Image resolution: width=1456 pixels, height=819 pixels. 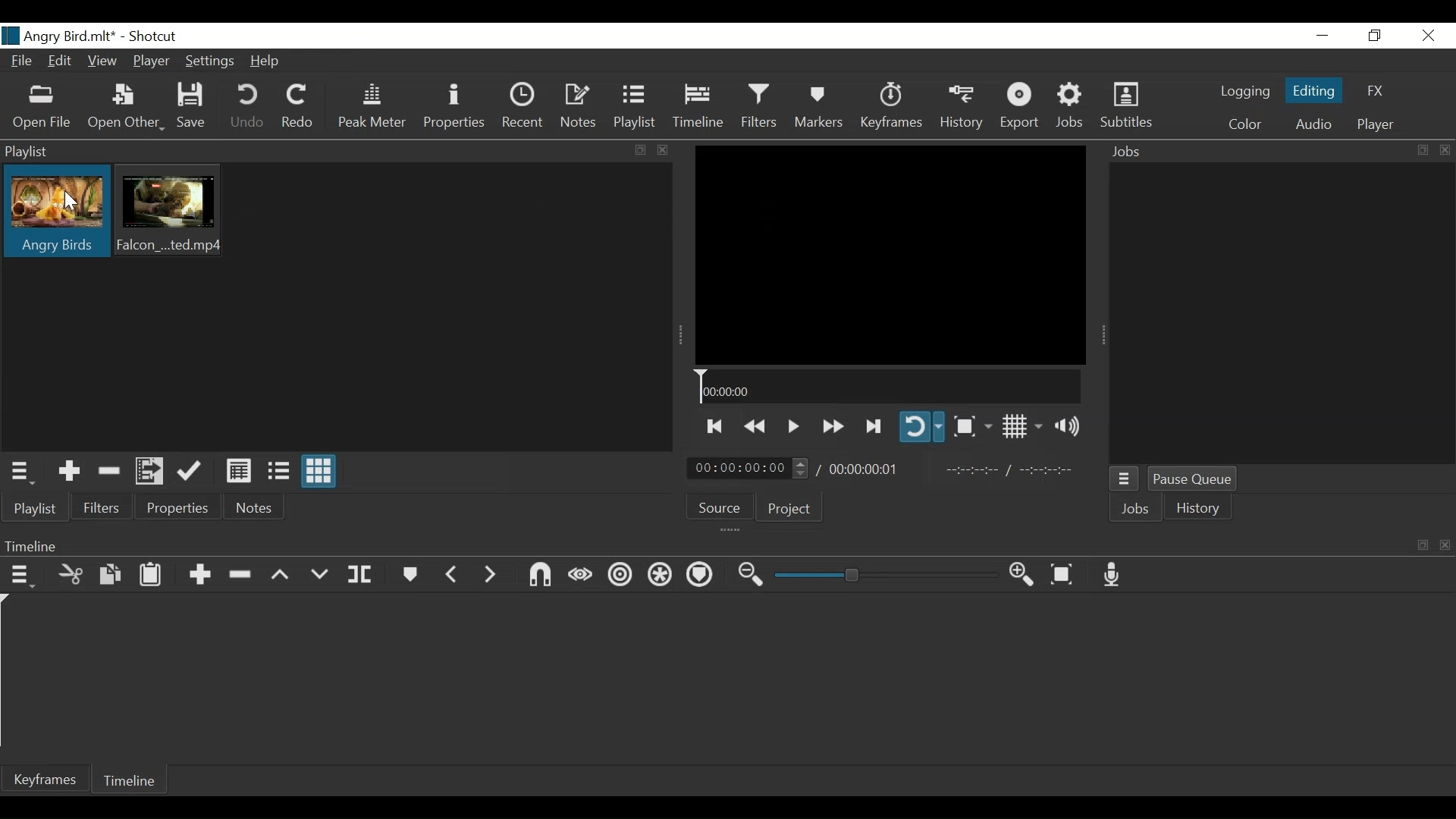 I want to click on Next Marker, so click(x=490, y=574).